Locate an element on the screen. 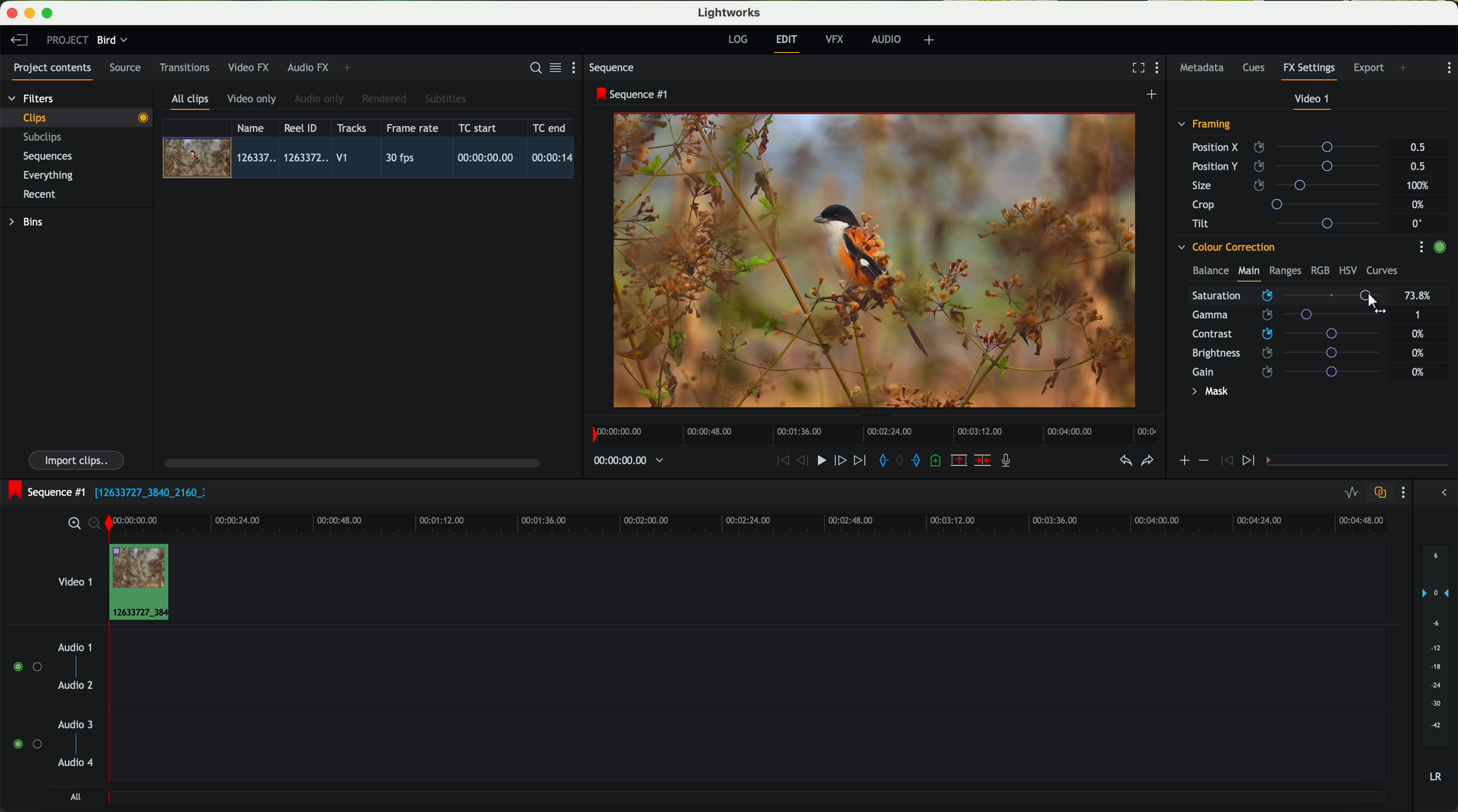 This screenshot has height=812, width=1458. project is located at coordinates (67, 40).